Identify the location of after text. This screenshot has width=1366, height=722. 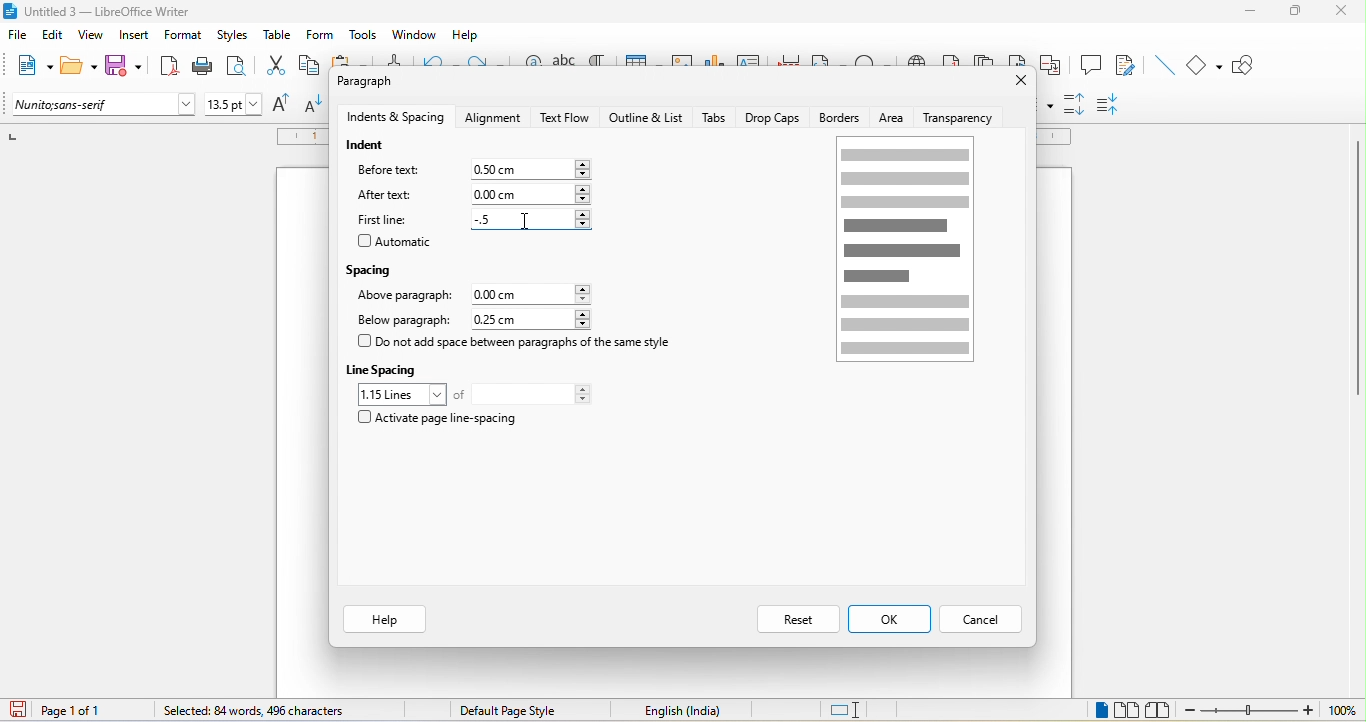
(384, 194).